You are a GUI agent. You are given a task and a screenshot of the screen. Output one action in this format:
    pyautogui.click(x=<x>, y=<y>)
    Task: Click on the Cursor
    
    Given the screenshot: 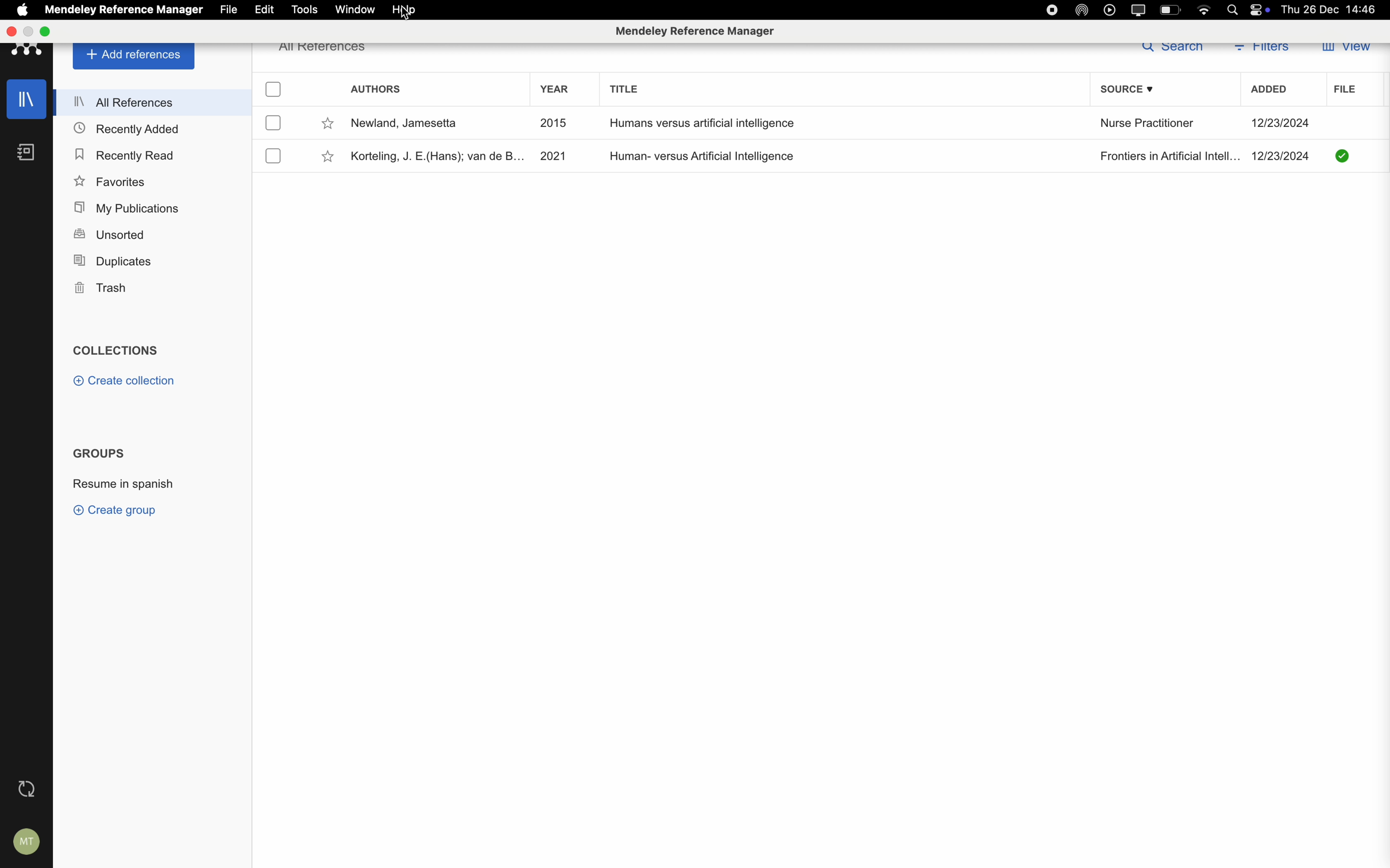 What is the action you would take?
    pyautogui.click(x=406, y=17)
    